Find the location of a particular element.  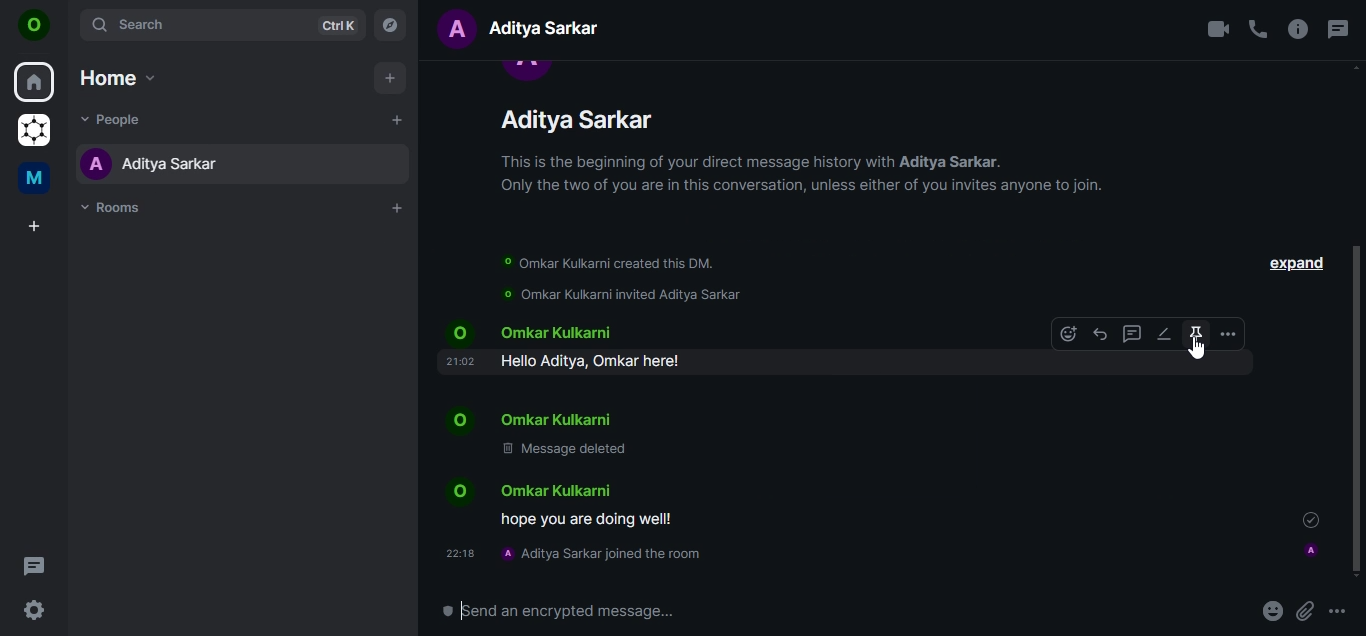

cursor is located at coordinates (1197, 348).